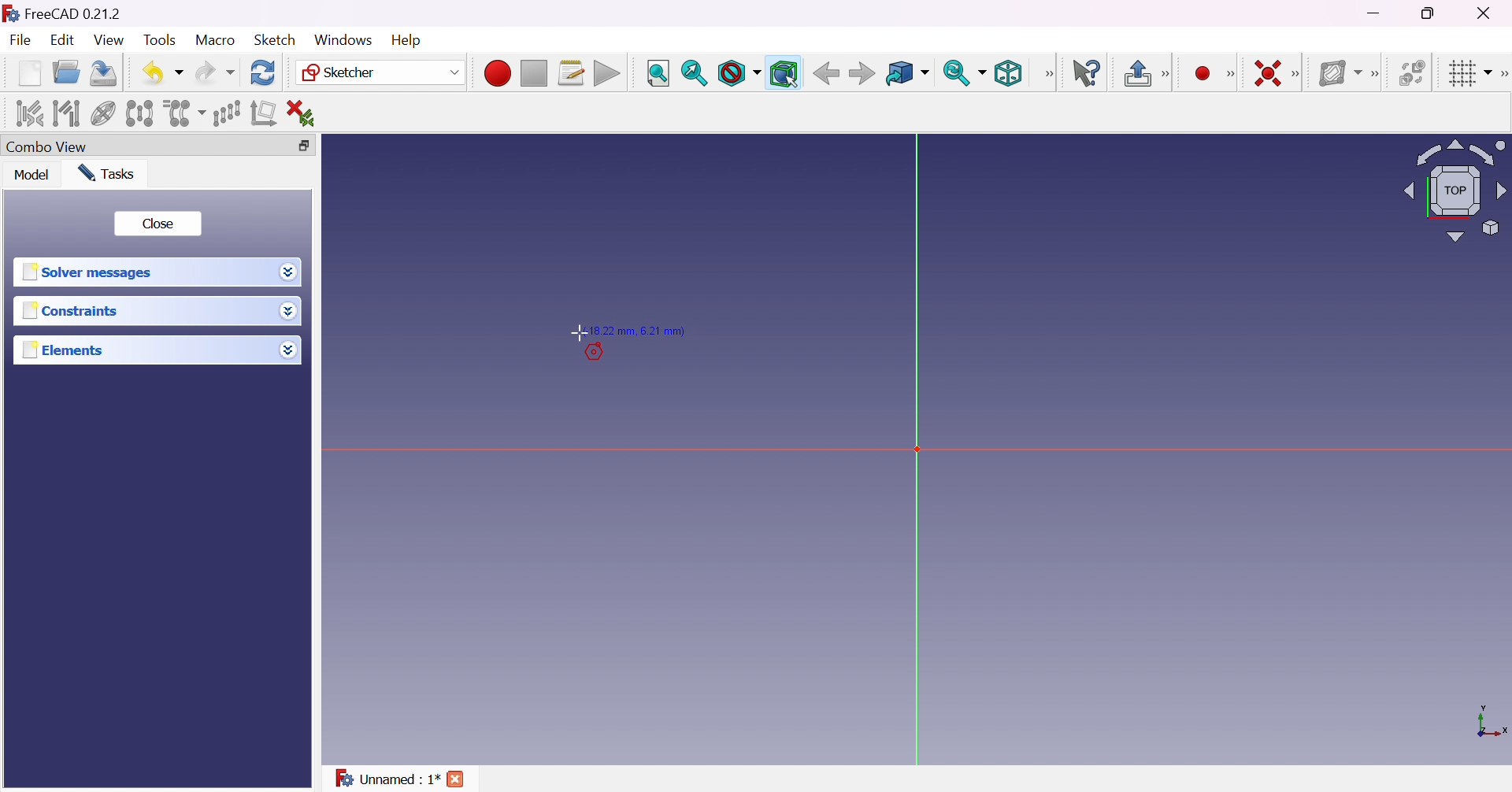 This screenshot has width=1512, height=792. I want to click on Close, so click(157, 224).